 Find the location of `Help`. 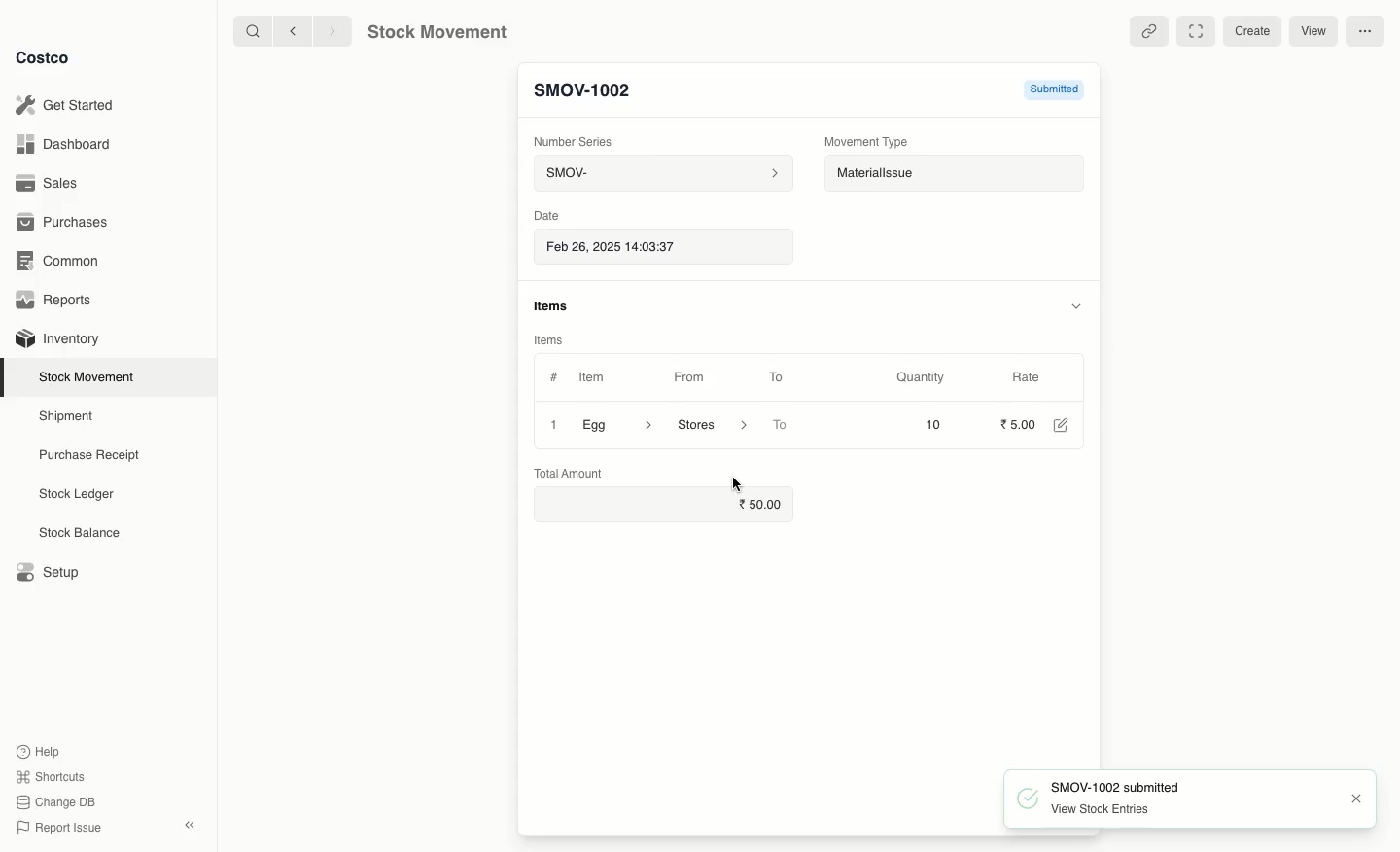

Help is located at coordinates (40, 749).